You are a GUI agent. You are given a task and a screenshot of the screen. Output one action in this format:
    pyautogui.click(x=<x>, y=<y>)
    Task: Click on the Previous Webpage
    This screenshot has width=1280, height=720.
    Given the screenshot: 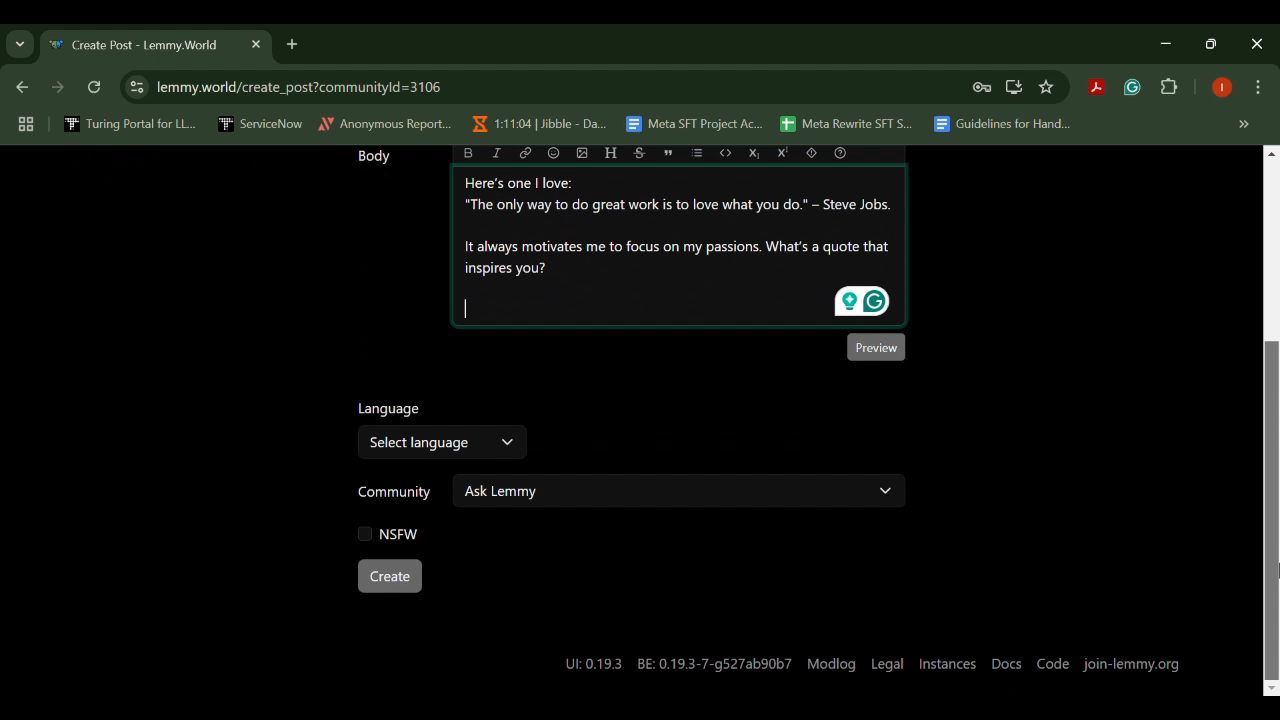 What is the action you would take?
    pyautogui.click(x=19, y=89)
    